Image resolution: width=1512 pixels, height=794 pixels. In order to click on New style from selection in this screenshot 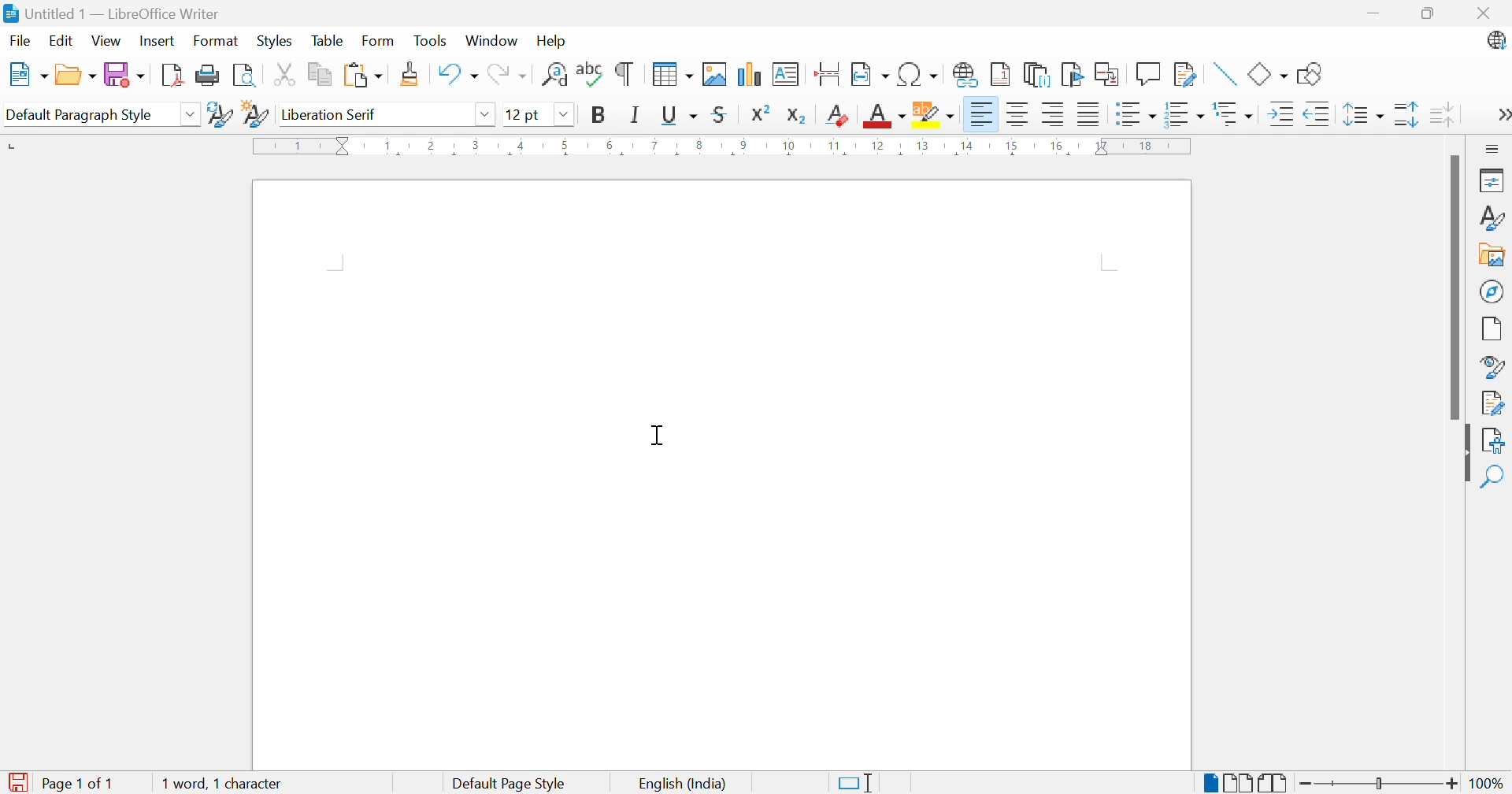, I will do `click(255, 115)`.